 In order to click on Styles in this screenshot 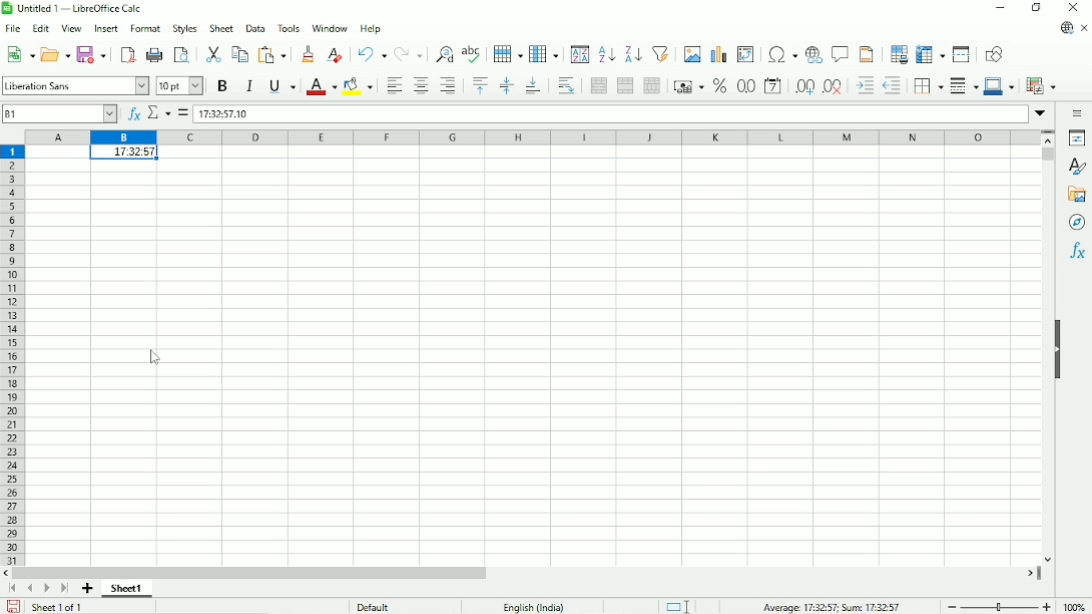, I will do `click(185, 28)`.